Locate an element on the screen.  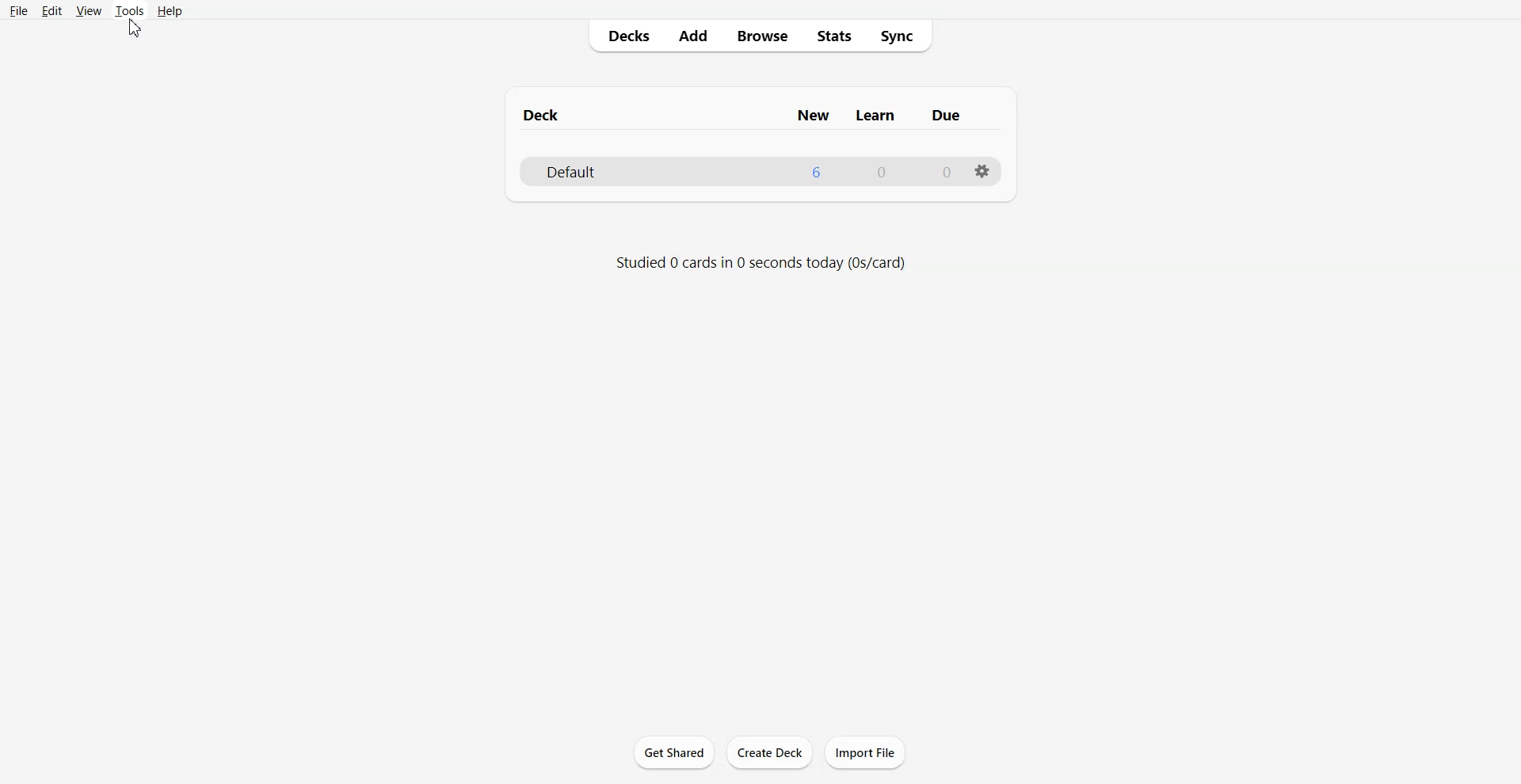
Decks is located at coordinates (623, 36).